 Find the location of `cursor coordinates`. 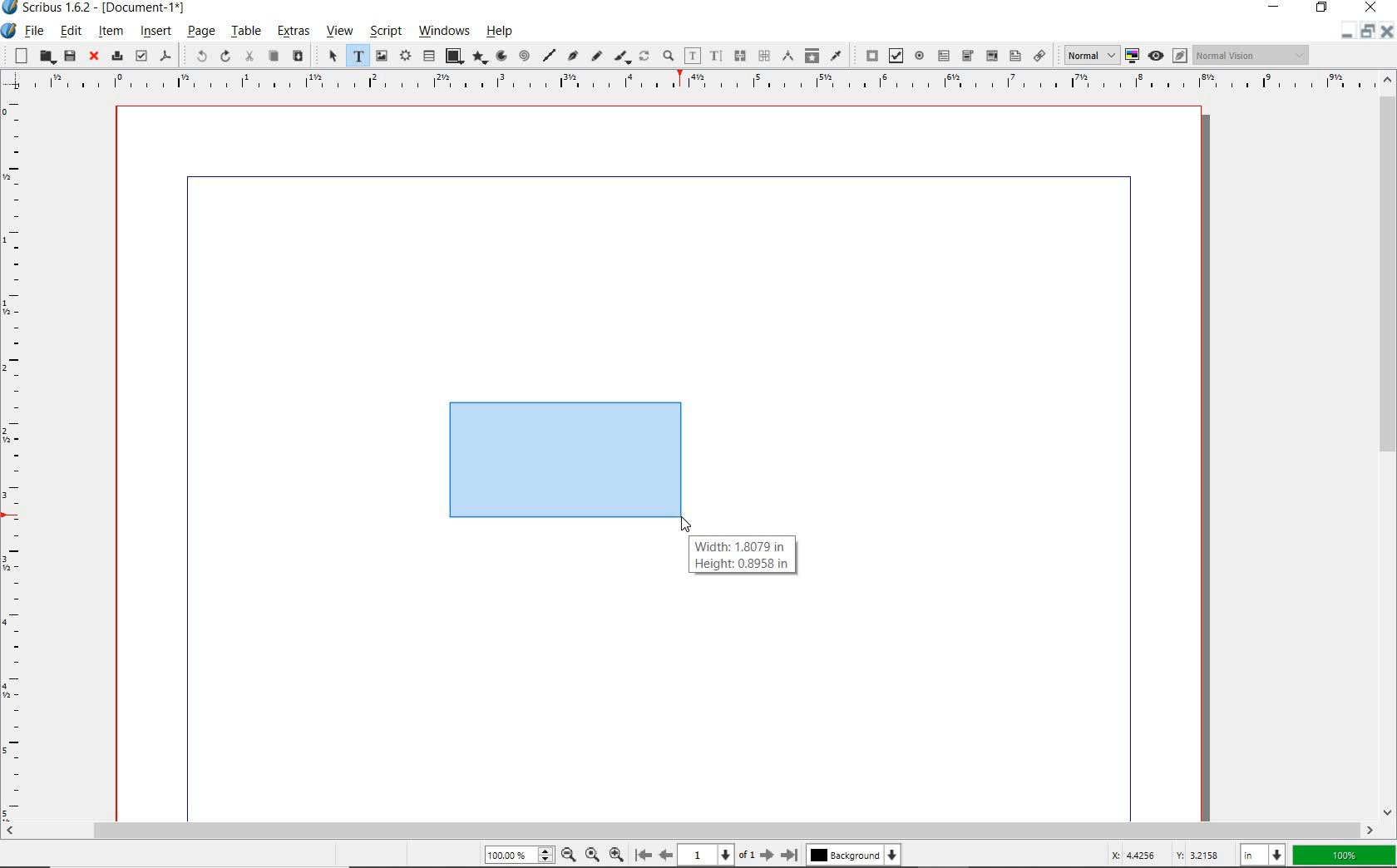

cursor coordinates is located at coordinates (1164, 855).